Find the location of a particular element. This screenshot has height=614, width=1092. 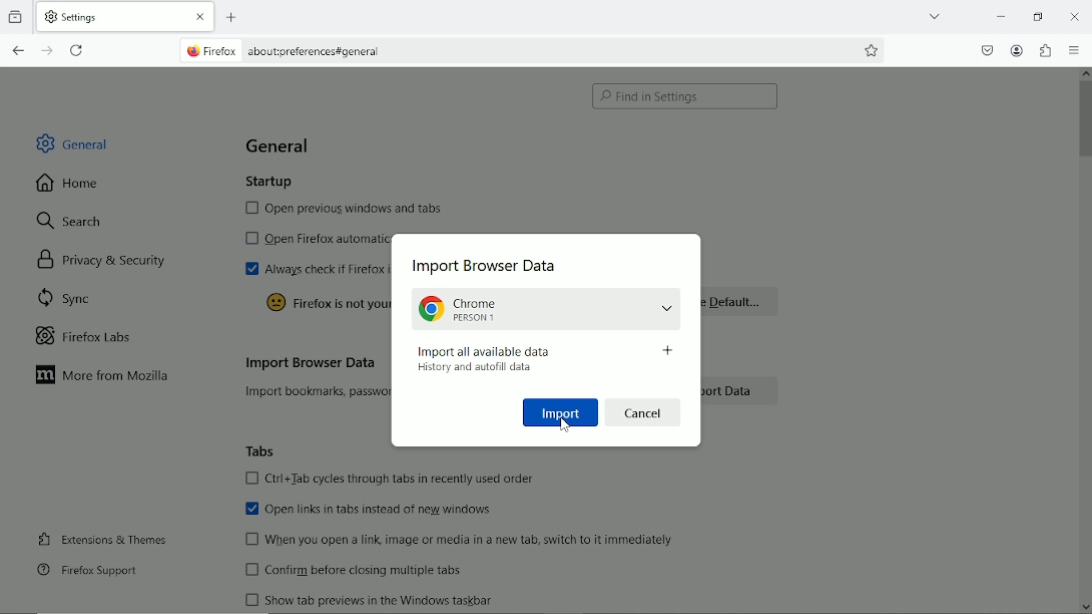

Bookmark this page is located at coordinates (872, 50).